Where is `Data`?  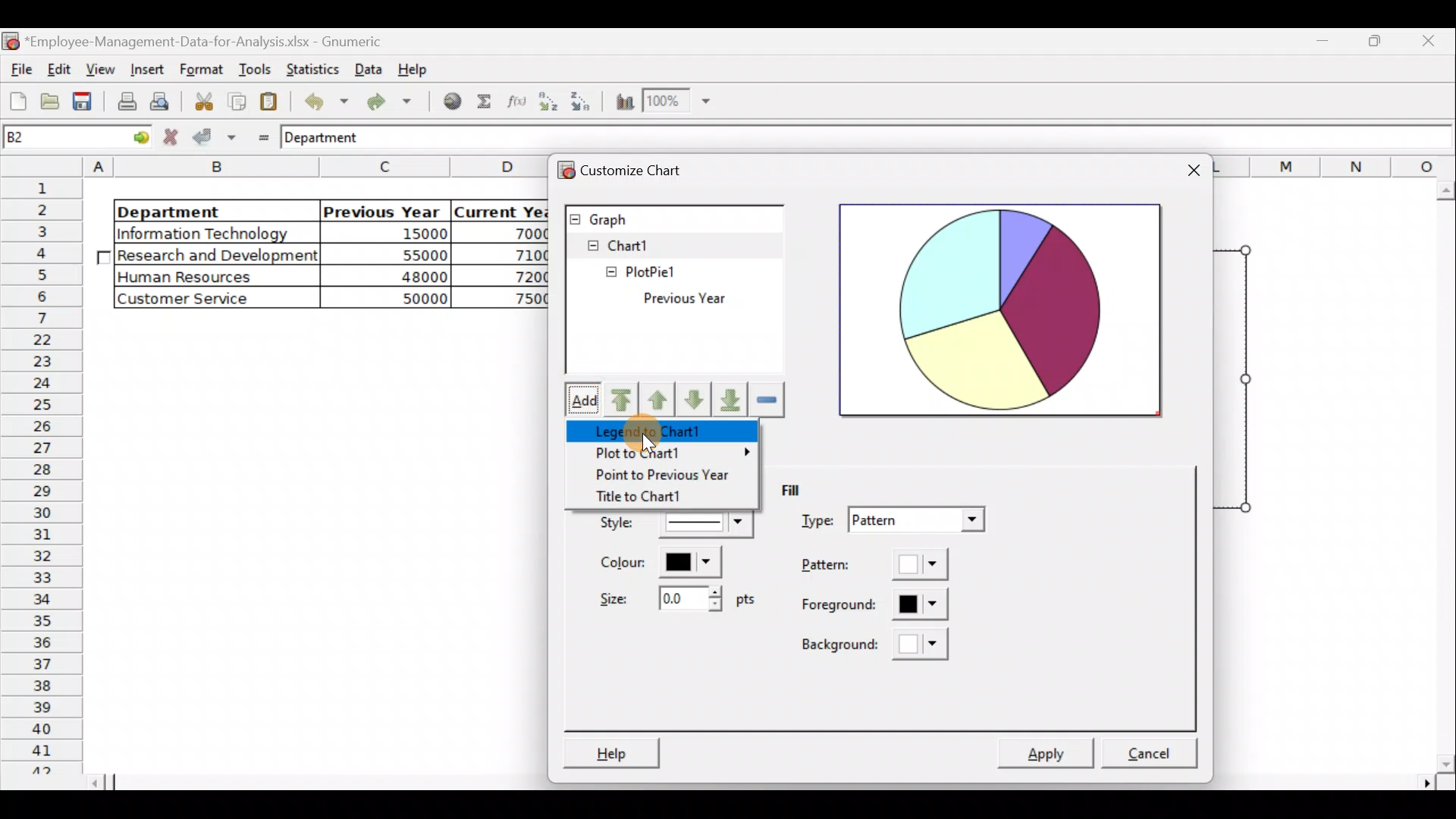
Data is located at coordinates (368, 67).